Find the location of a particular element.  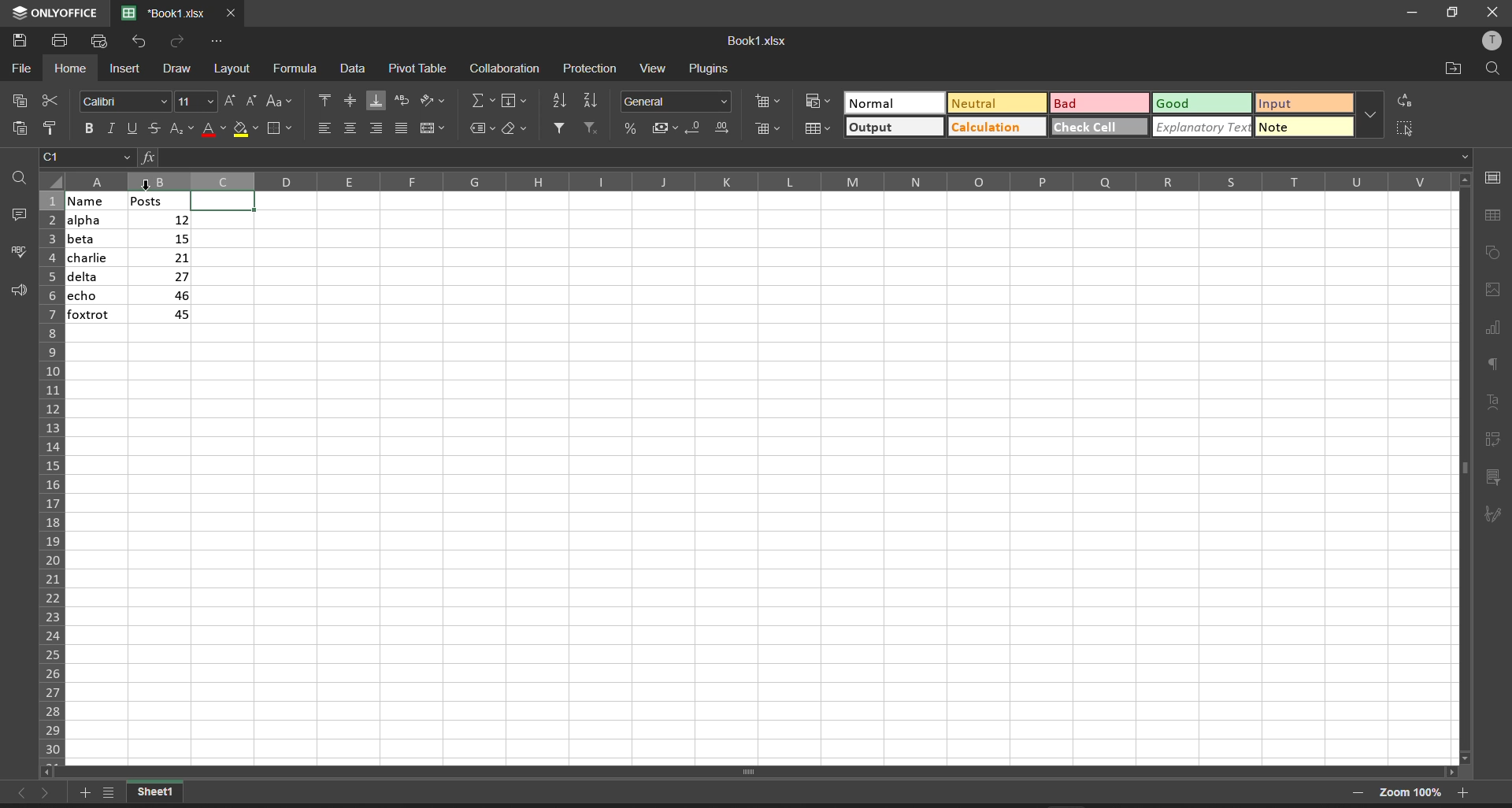

paste is located at coordinates (20, 129).